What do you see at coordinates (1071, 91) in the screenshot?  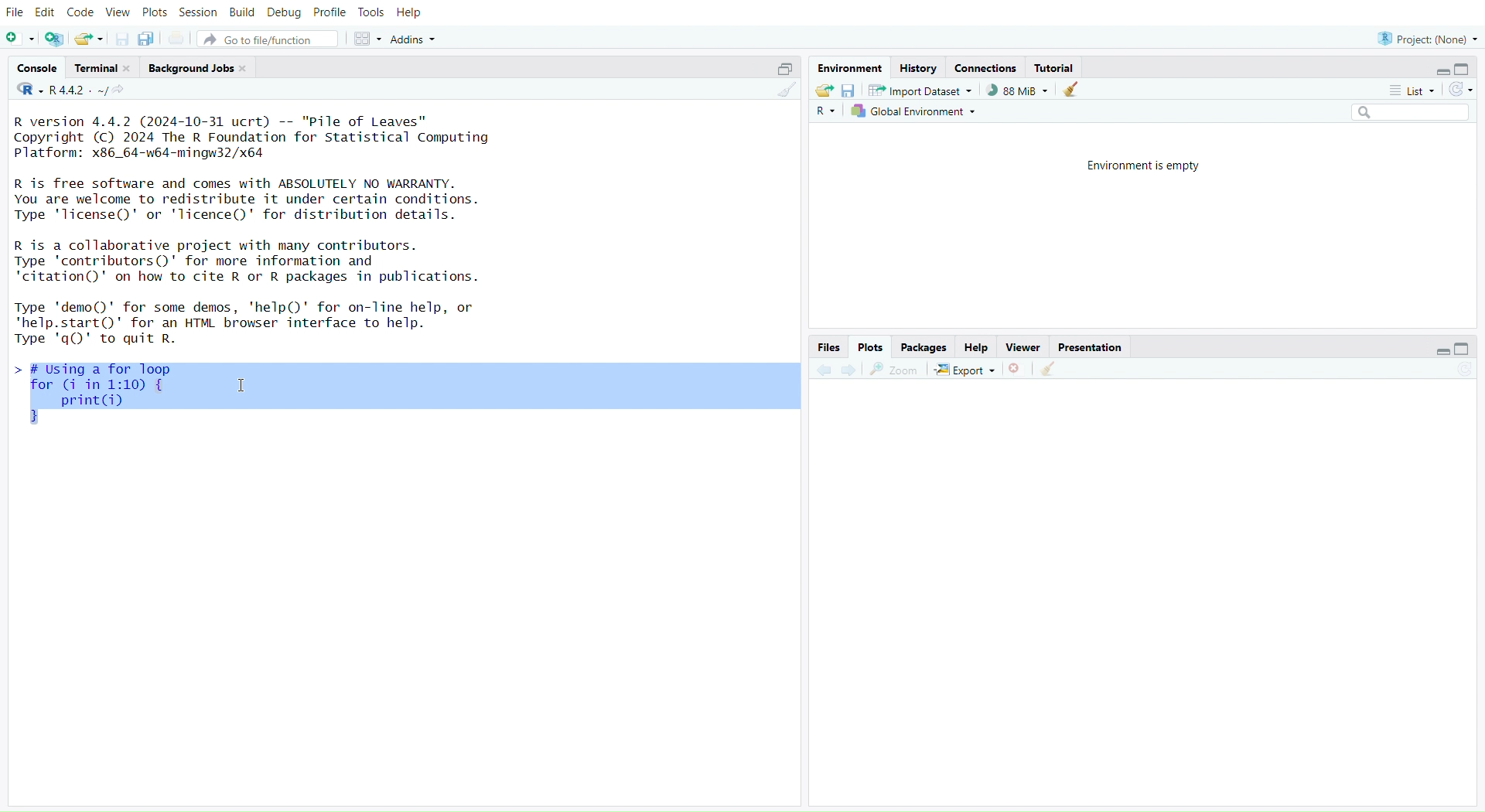 I see `clear object` at bounding box center [1071, 91].